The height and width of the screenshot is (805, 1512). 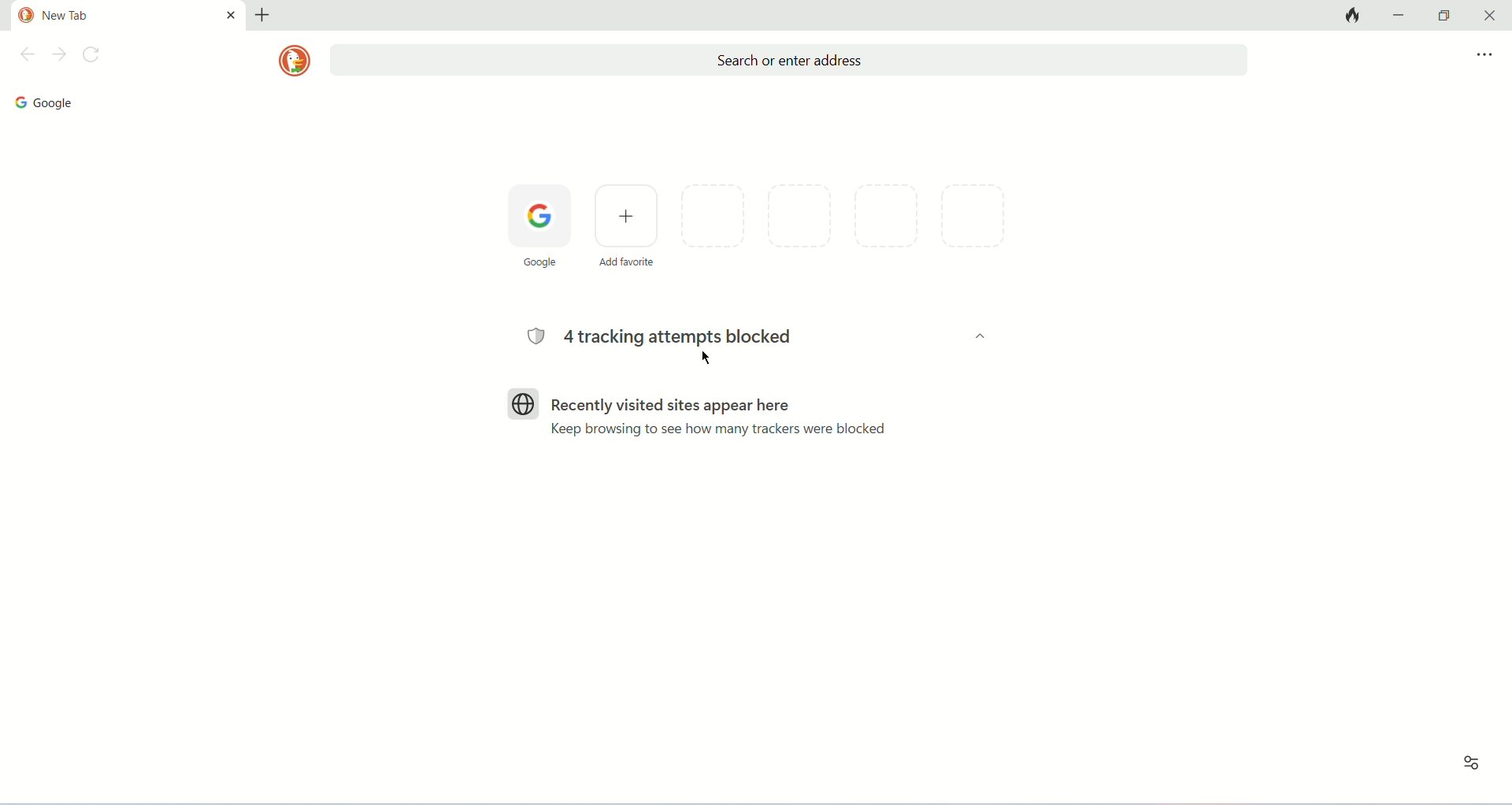 I want to click on view option, so click(x=1473, y=764).